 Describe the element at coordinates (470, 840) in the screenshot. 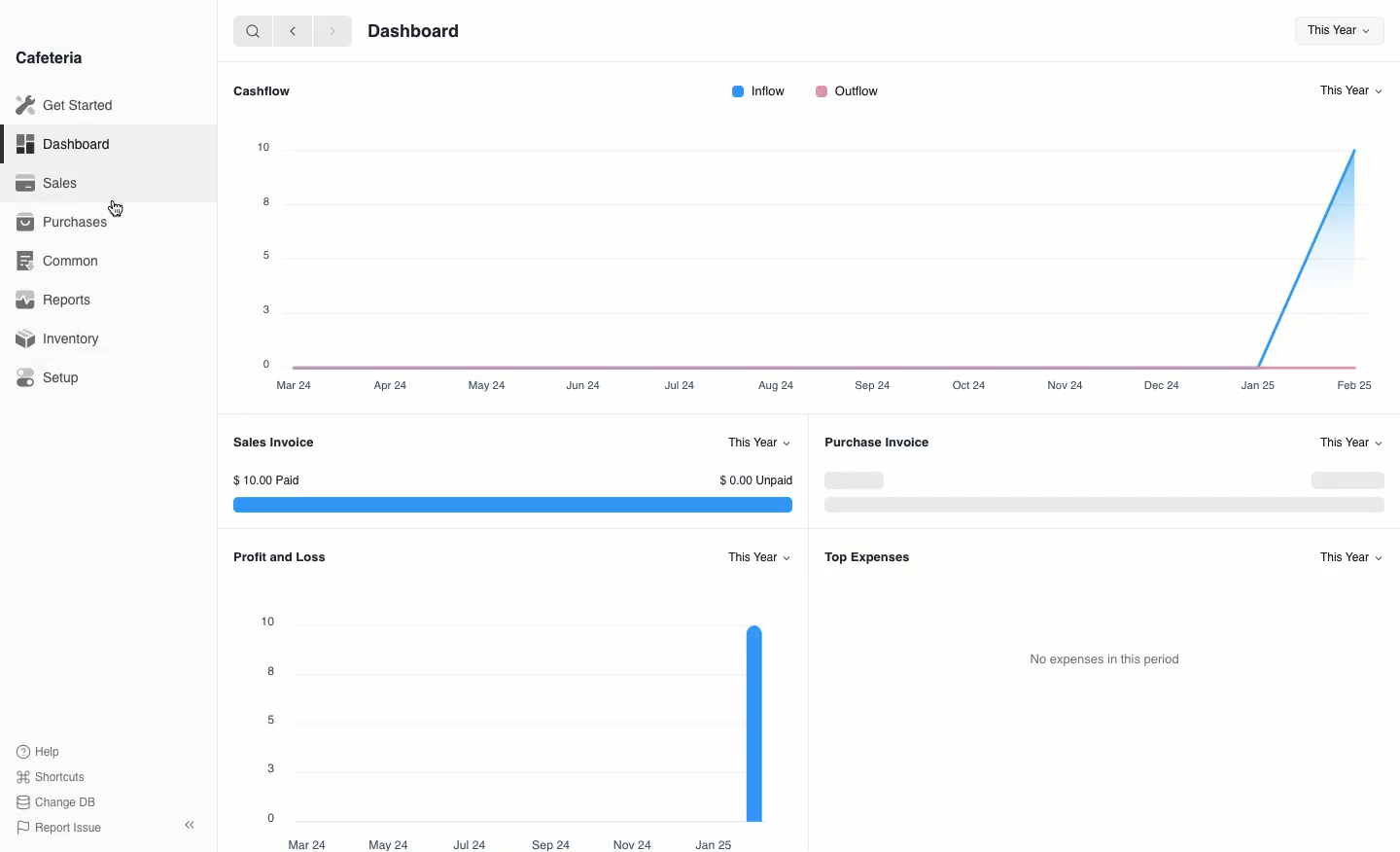

I see `Jul 24` at that location.